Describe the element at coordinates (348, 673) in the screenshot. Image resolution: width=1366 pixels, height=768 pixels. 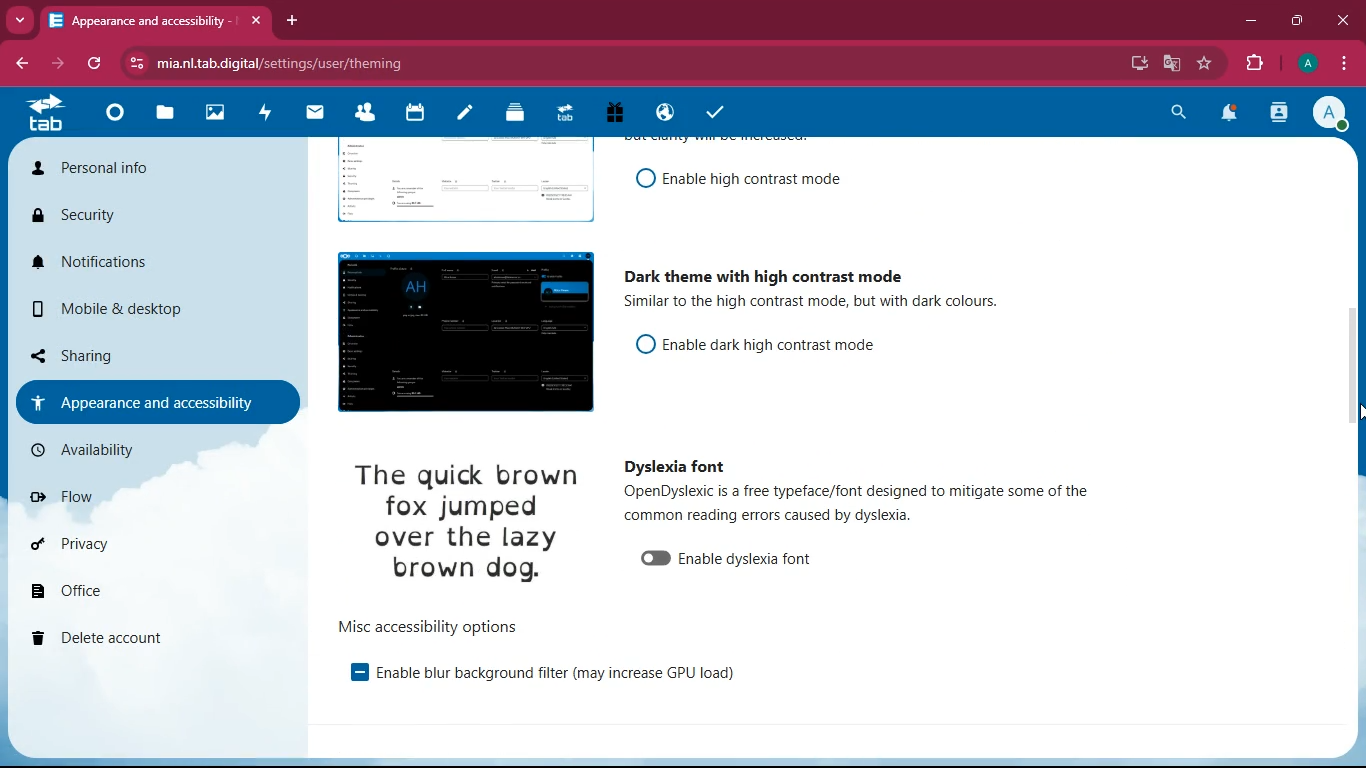
I see `enable` at that location.